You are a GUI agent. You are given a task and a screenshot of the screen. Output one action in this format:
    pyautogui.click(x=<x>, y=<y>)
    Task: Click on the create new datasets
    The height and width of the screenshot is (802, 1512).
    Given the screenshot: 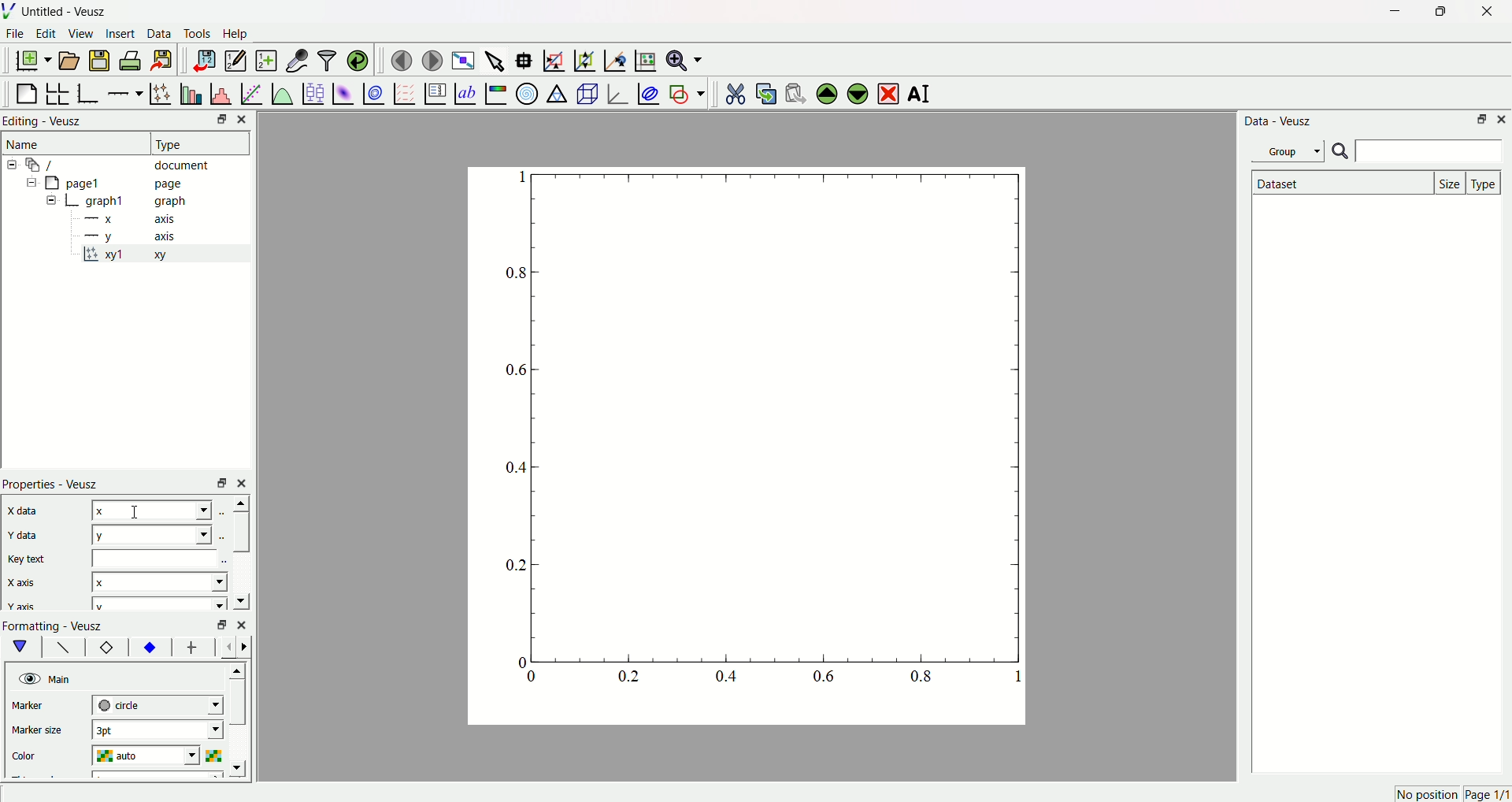 What is the action you would take?
    pyautogui.click(x=265, y=61)
    